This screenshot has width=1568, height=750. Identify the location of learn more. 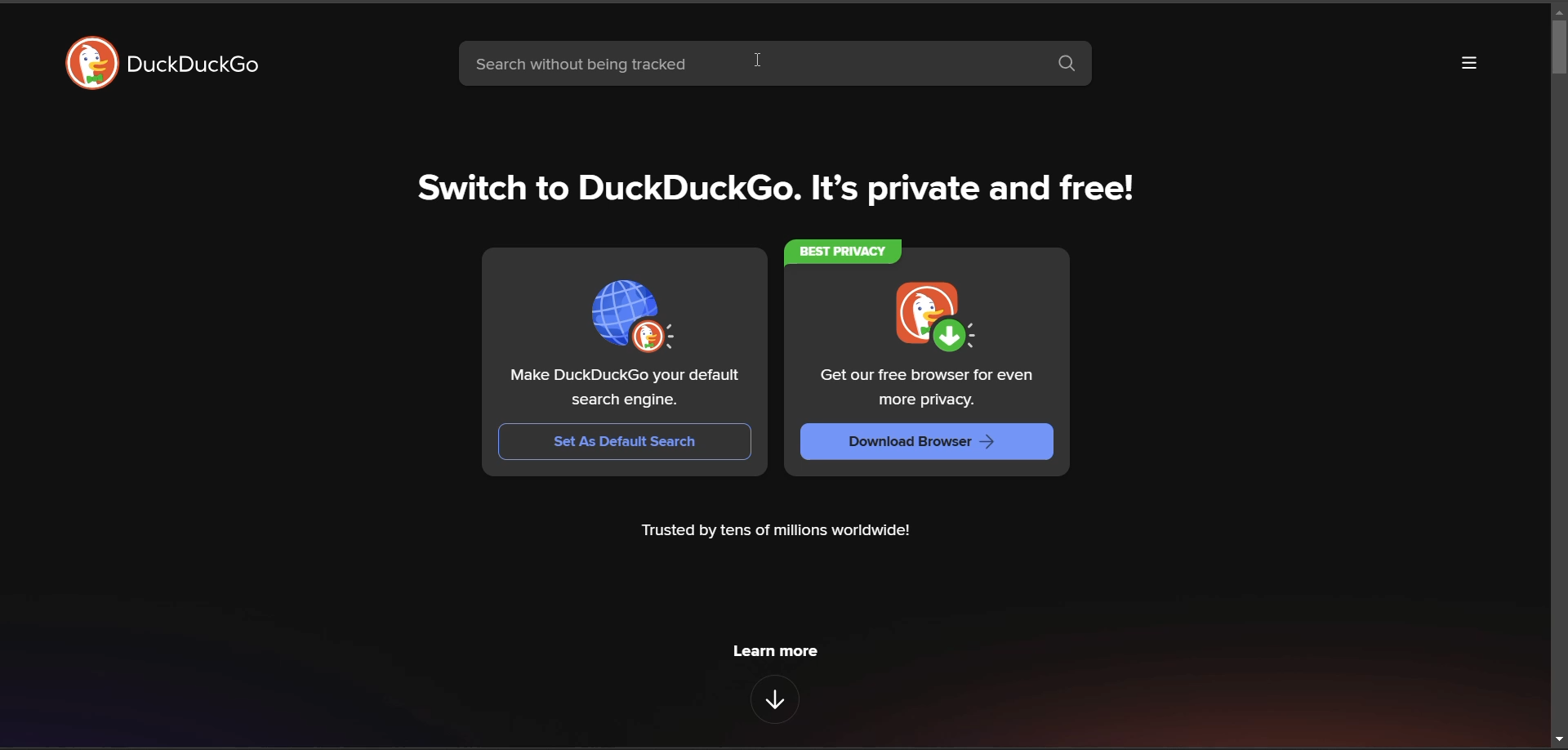
(779, 650).